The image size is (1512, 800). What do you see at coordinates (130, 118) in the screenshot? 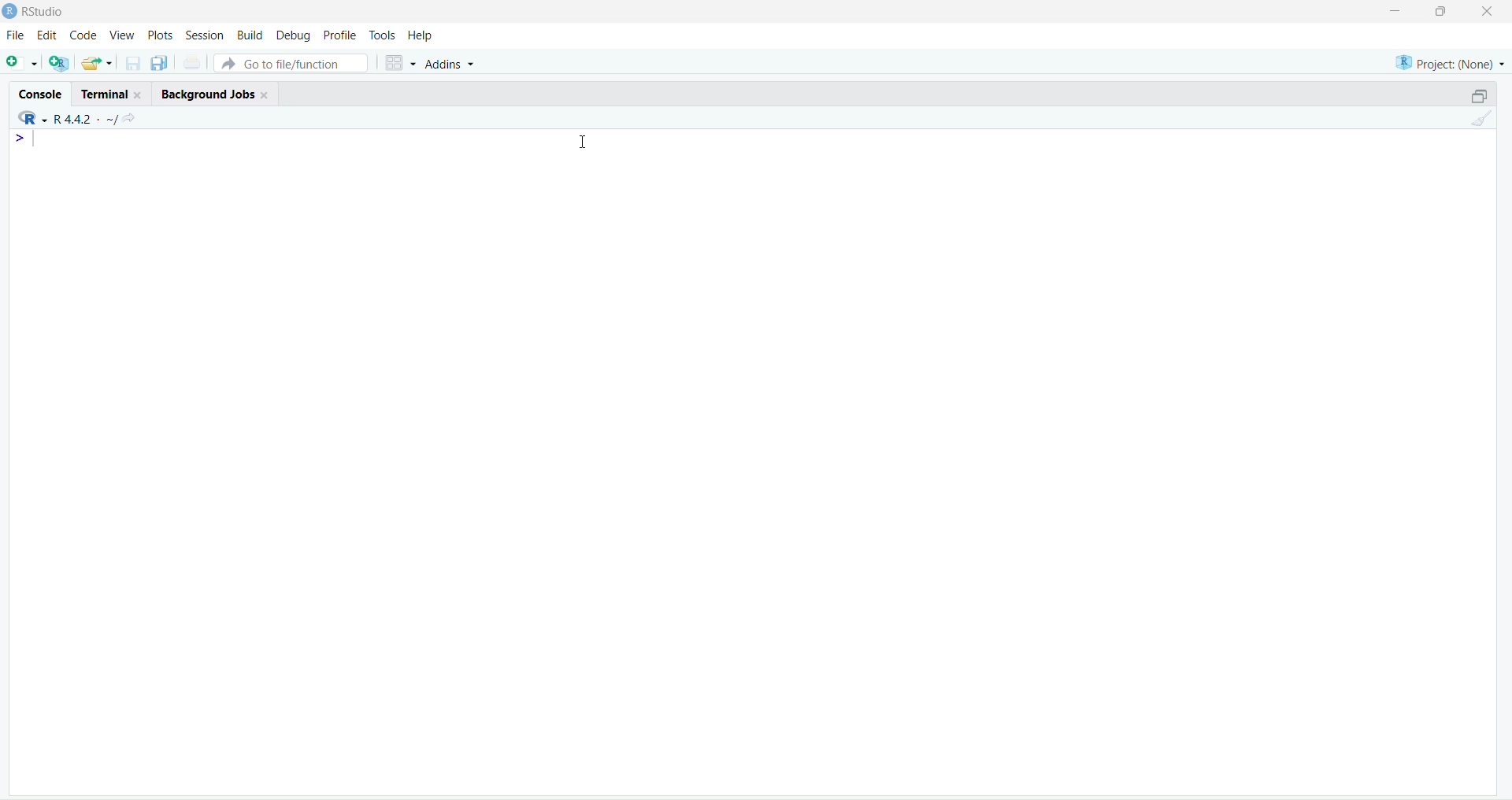
I see `share icon` at bounding box center [130, 118].